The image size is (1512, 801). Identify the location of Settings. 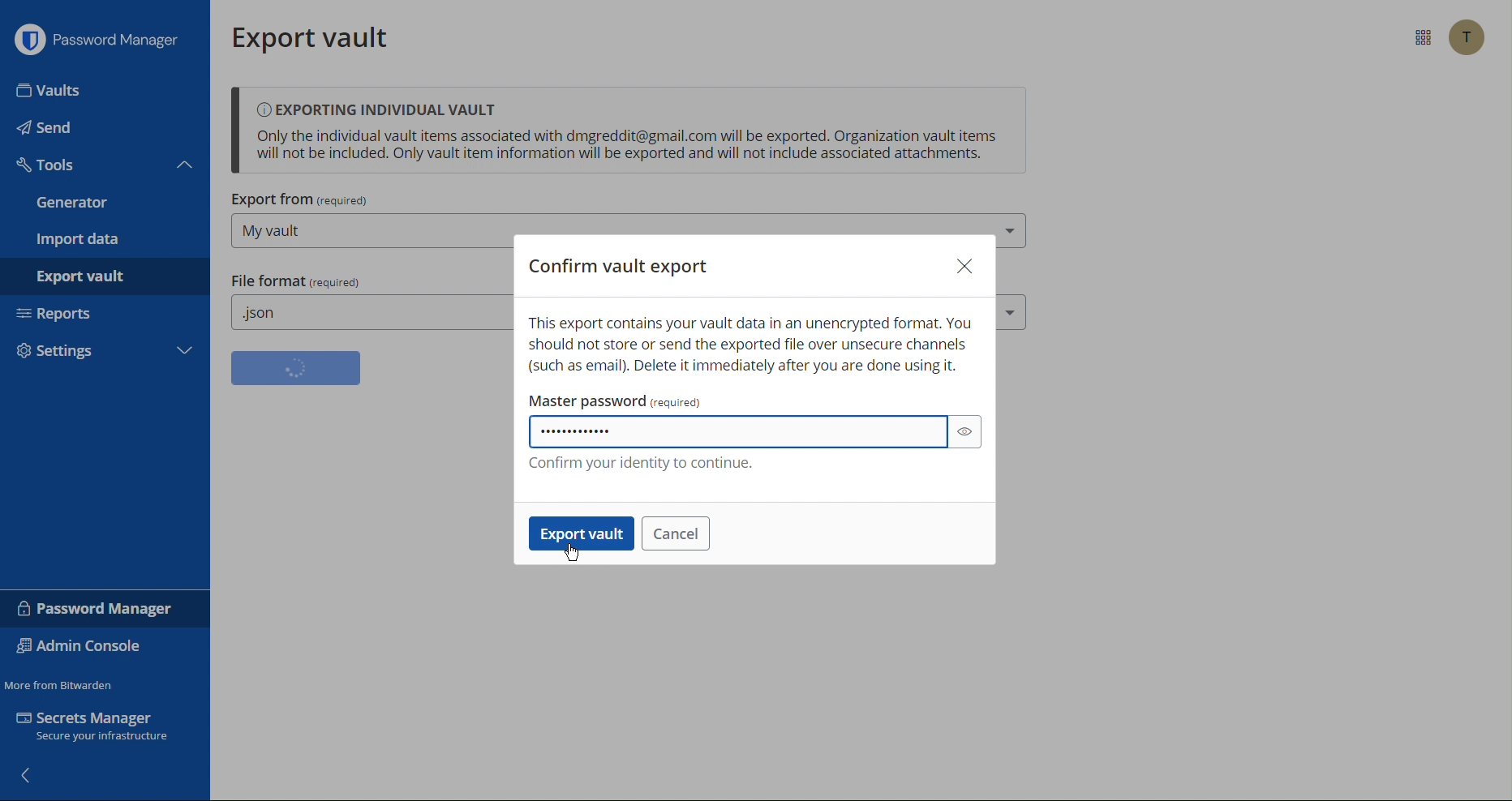
(108, 356).